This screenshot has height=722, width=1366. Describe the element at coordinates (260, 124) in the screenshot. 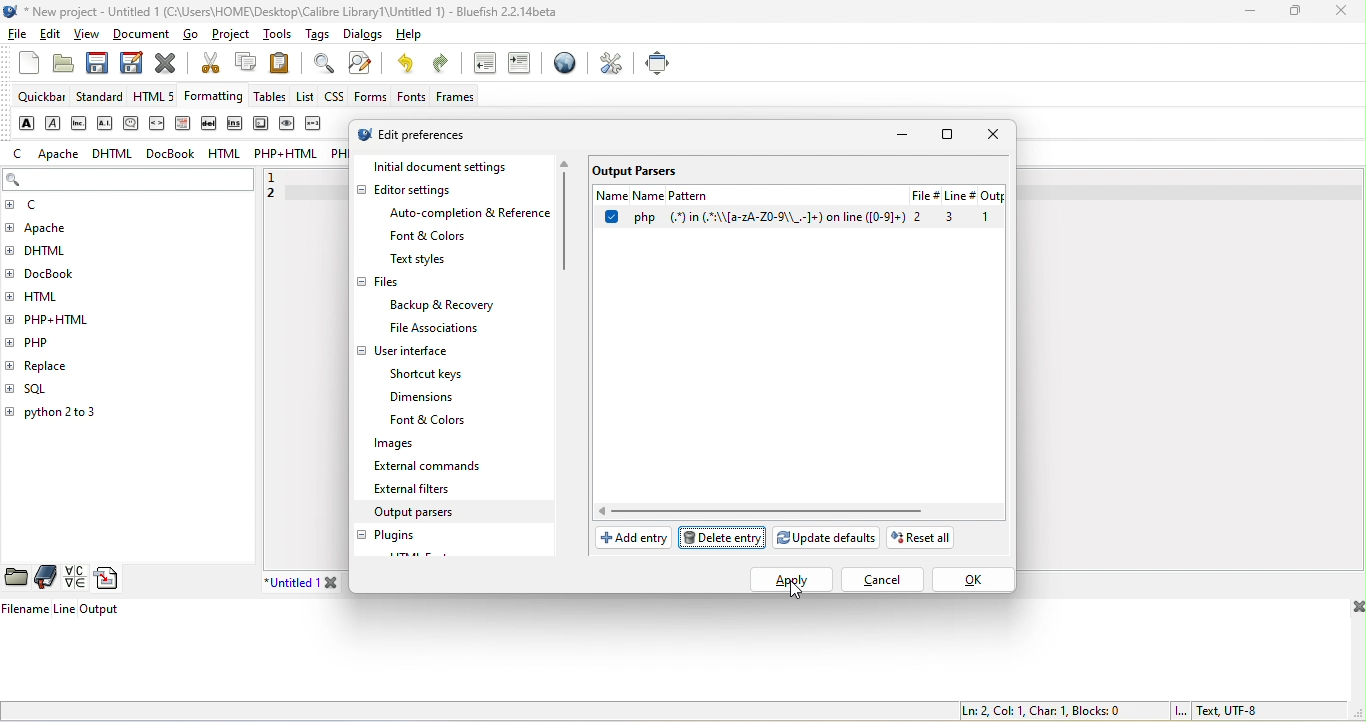

I see `keyboard` at that location.